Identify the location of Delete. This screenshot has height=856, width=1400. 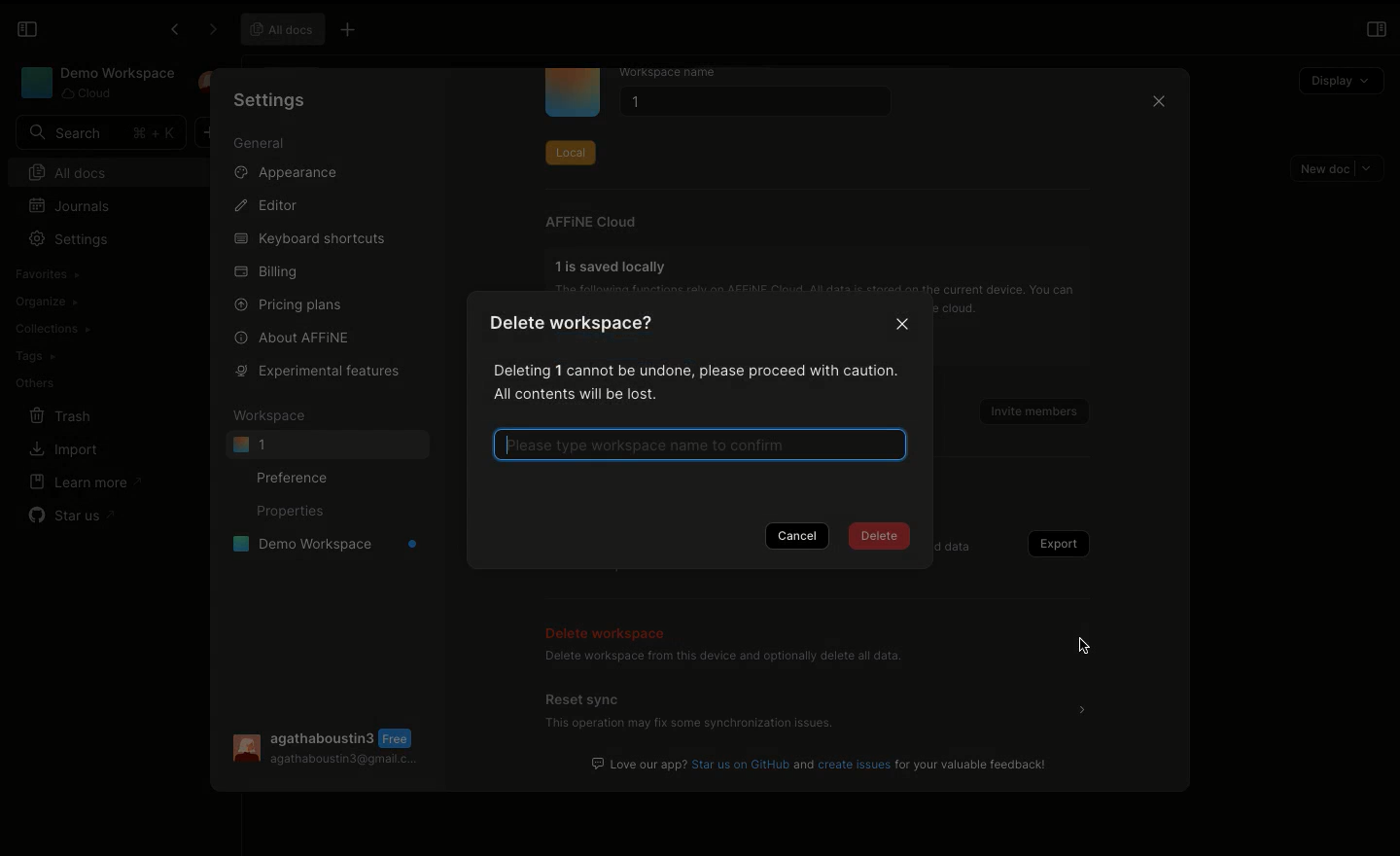
(883, 539).